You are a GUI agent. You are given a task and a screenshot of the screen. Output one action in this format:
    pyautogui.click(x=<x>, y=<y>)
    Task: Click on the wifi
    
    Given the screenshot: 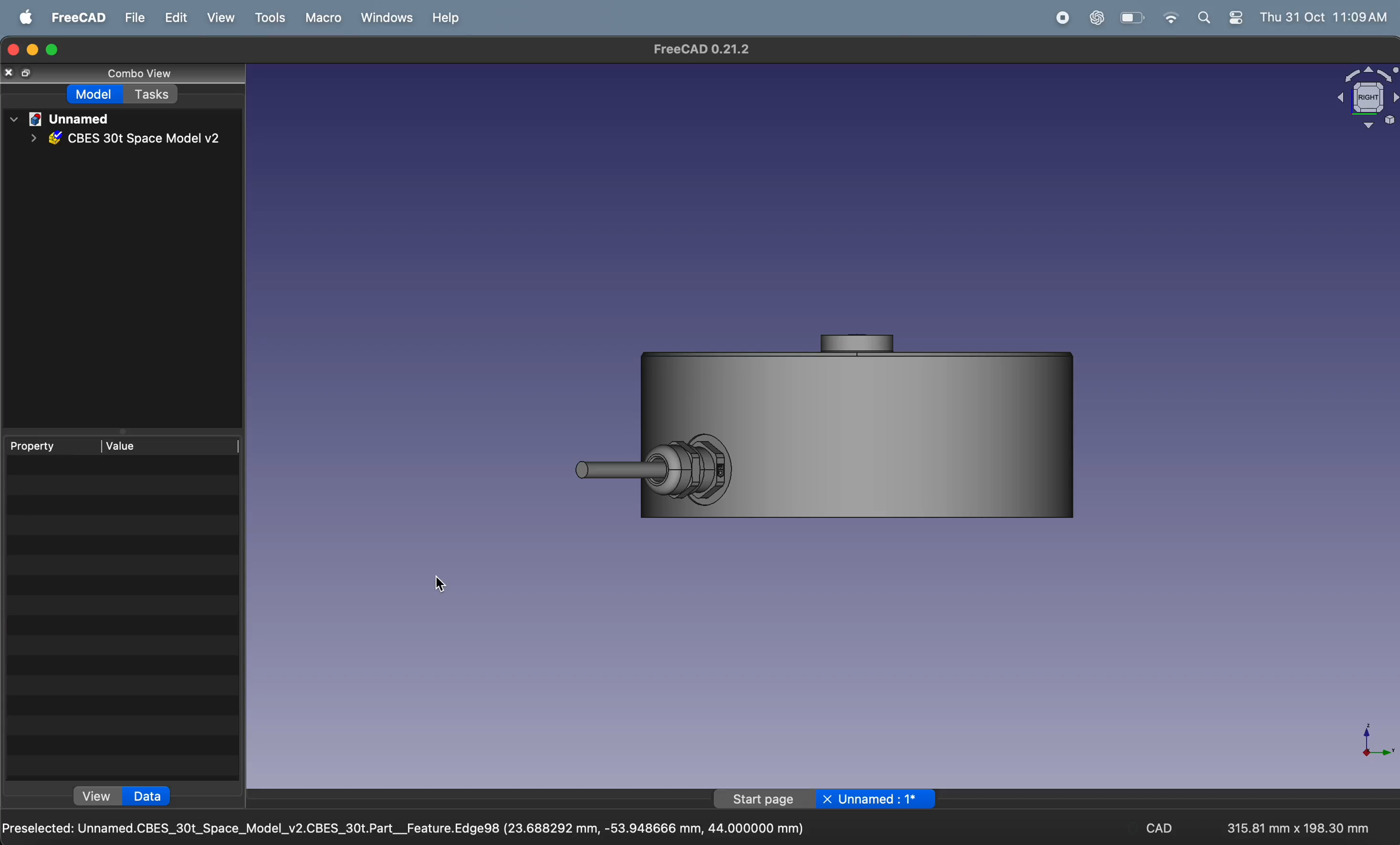 What is the action you would take?
    pyautogui.click(x=1168, y=18)
    